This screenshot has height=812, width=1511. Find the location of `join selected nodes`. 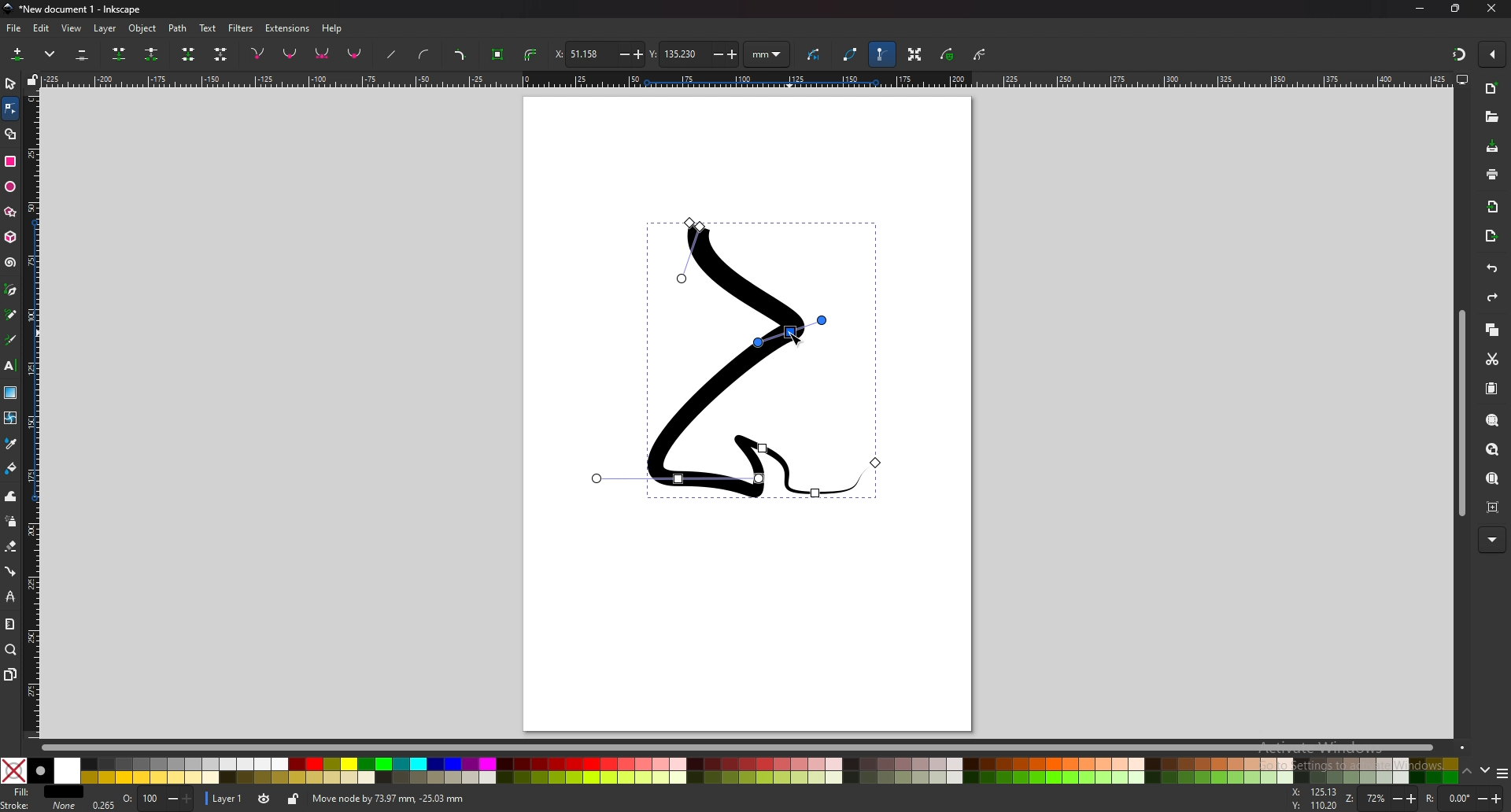

join selected nodes is located at coordinates (120, 53).